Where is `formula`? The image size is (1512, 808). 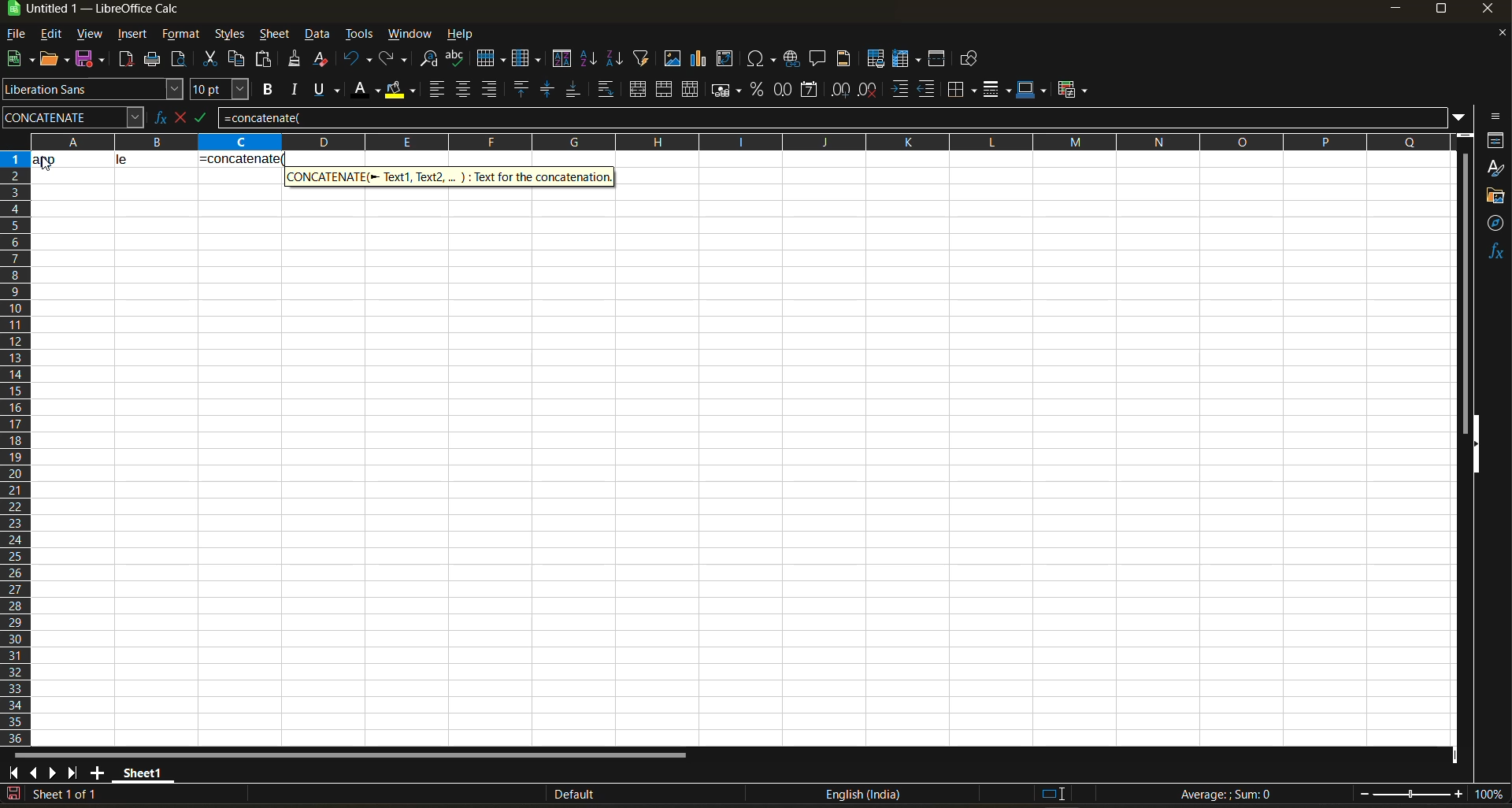 formula is located at coordinates (207, 120).